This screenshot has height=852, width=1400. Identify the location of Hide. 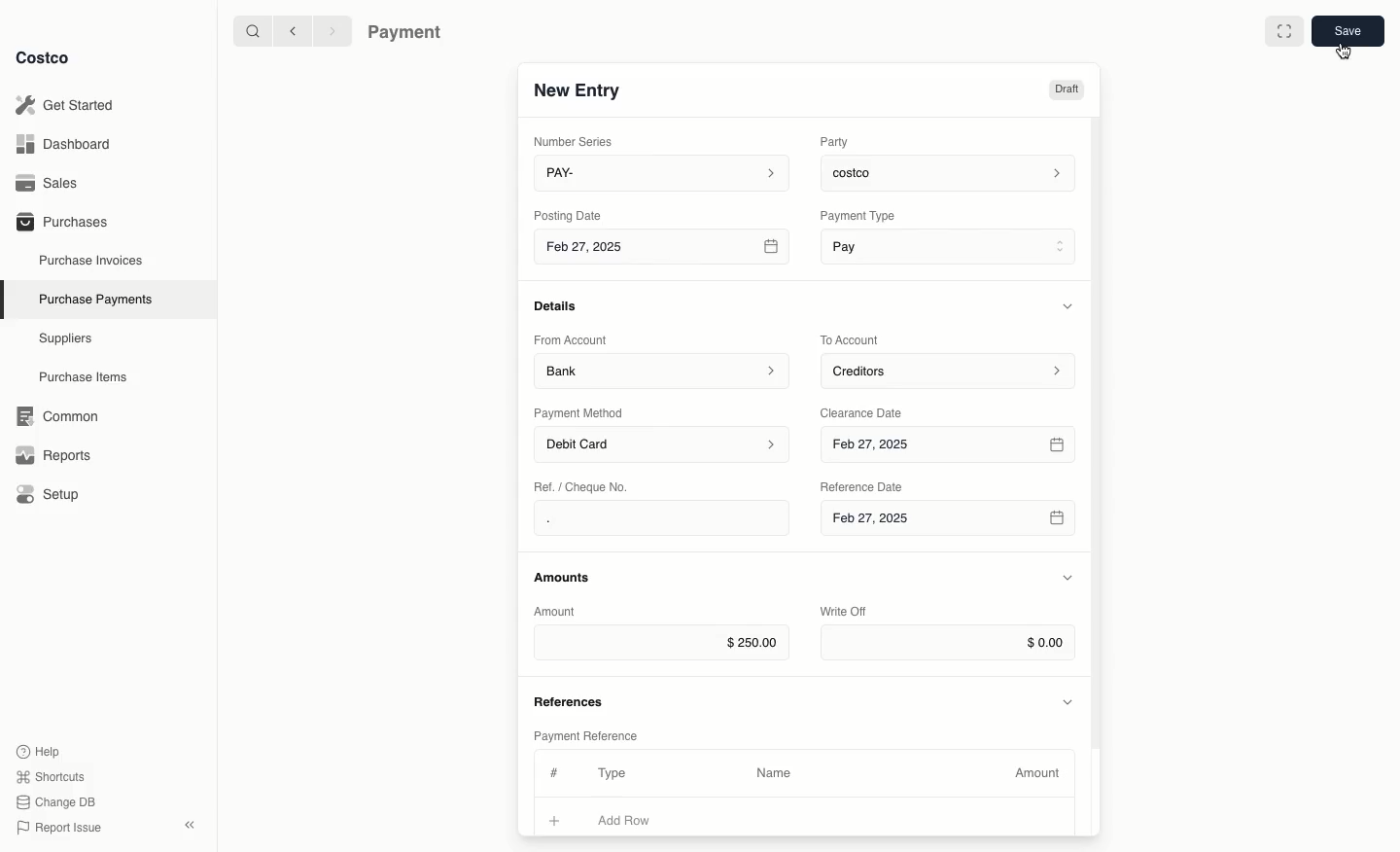
(1070, 305).